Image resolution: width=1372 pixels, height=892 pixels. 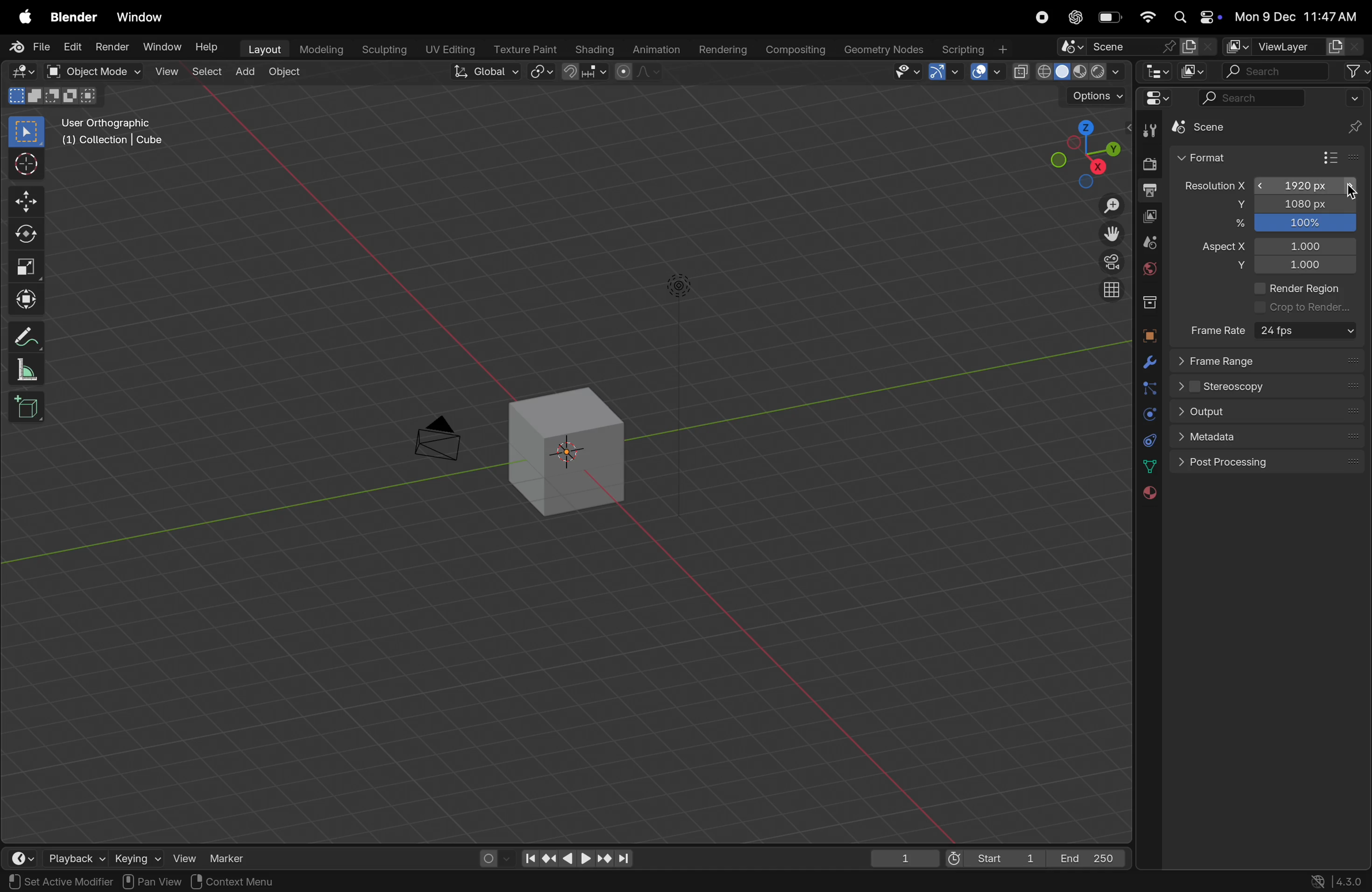 I want to click on maker, so click(x=233, y=855).